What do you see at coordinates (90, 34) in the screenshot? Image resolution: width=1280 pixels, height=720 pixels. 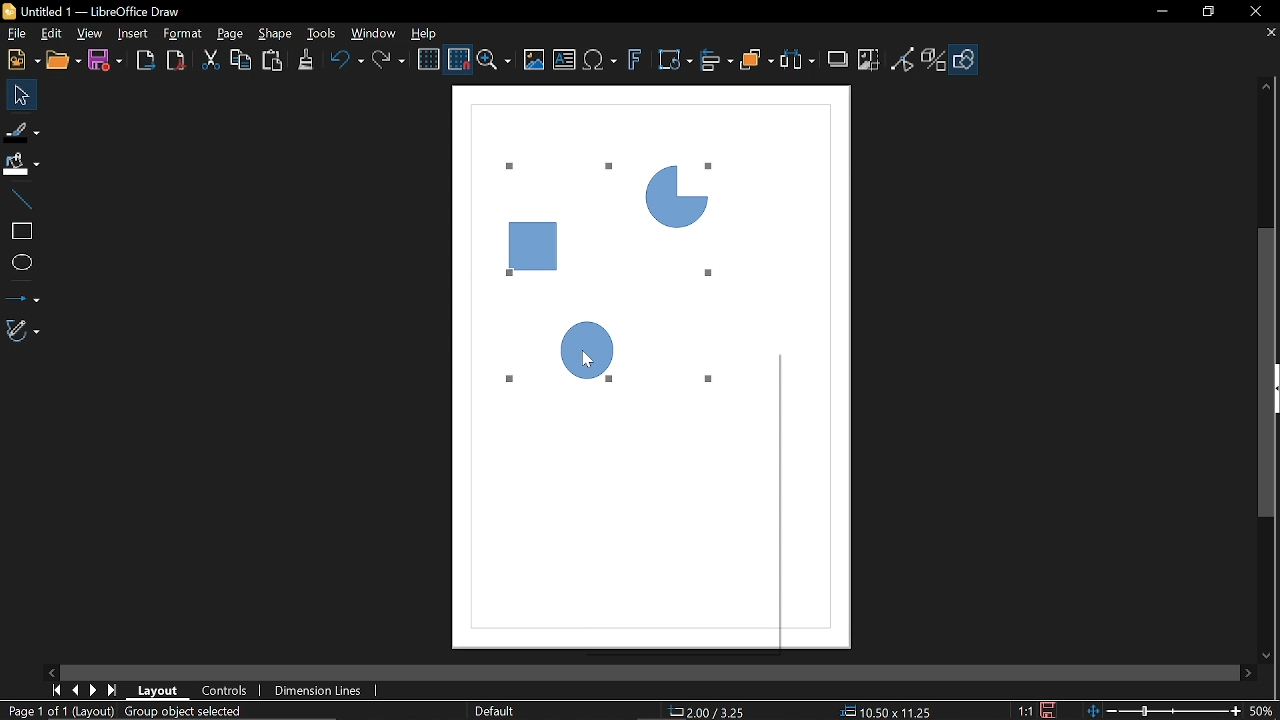 I see `View` at bounding box center [90, 34].